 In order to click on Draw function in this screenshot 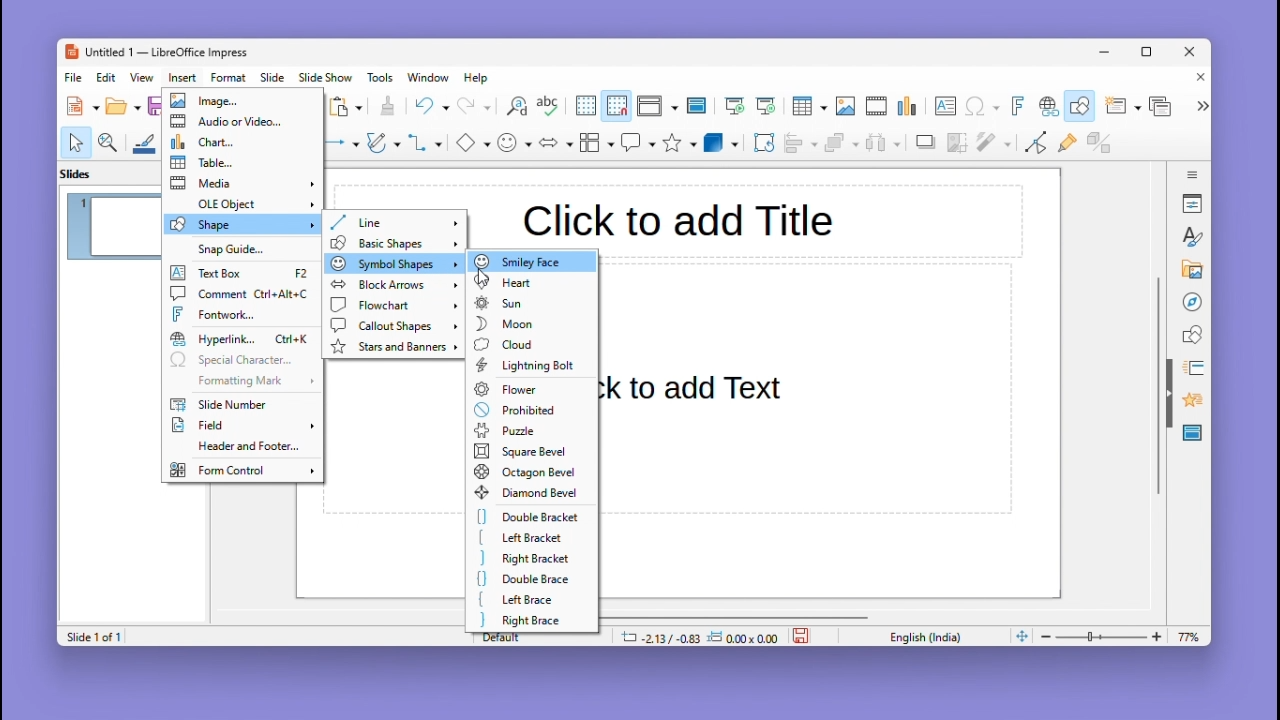, I will do `click(1082, 106)`.